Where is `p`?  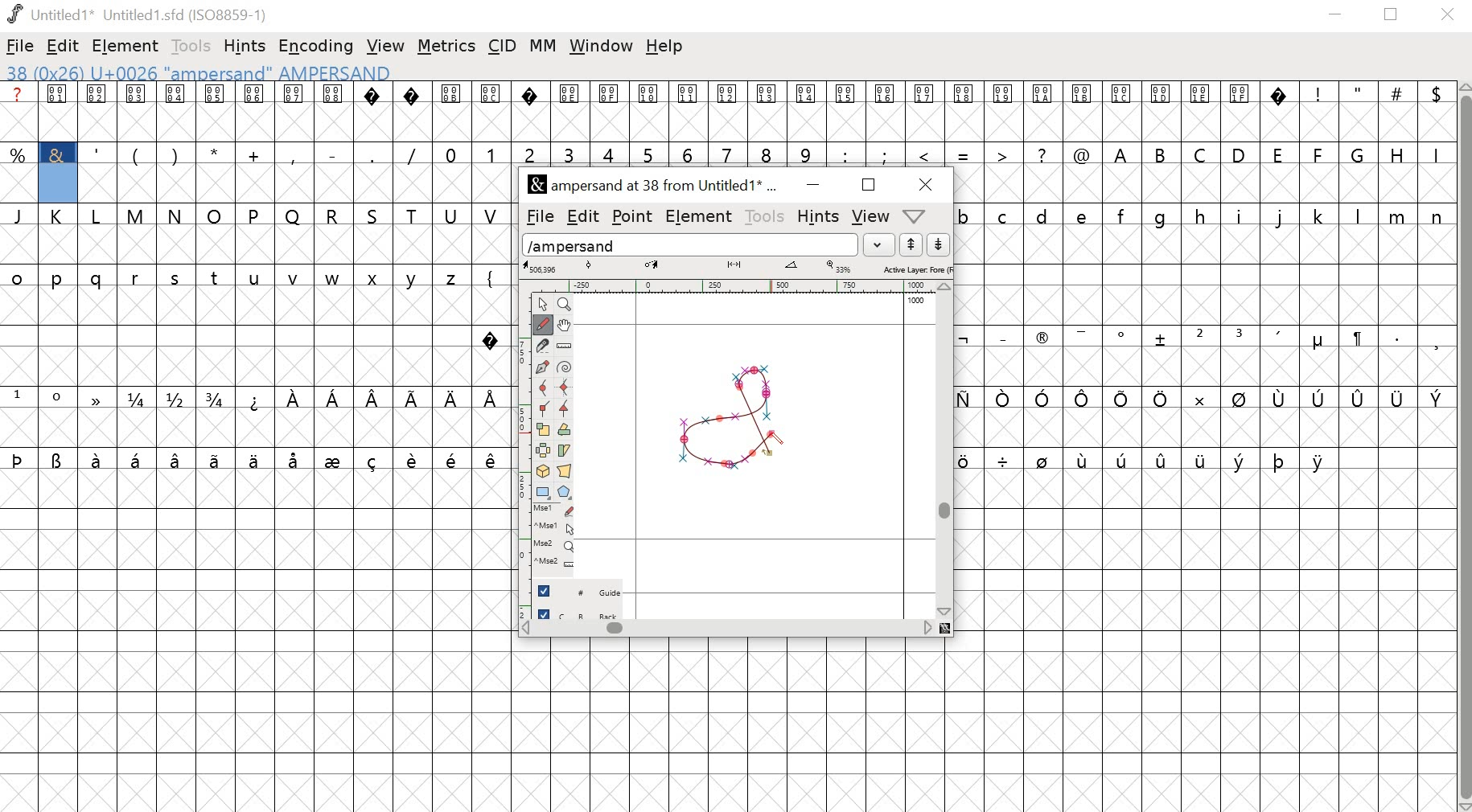
p is located at coordinates (60, 280).